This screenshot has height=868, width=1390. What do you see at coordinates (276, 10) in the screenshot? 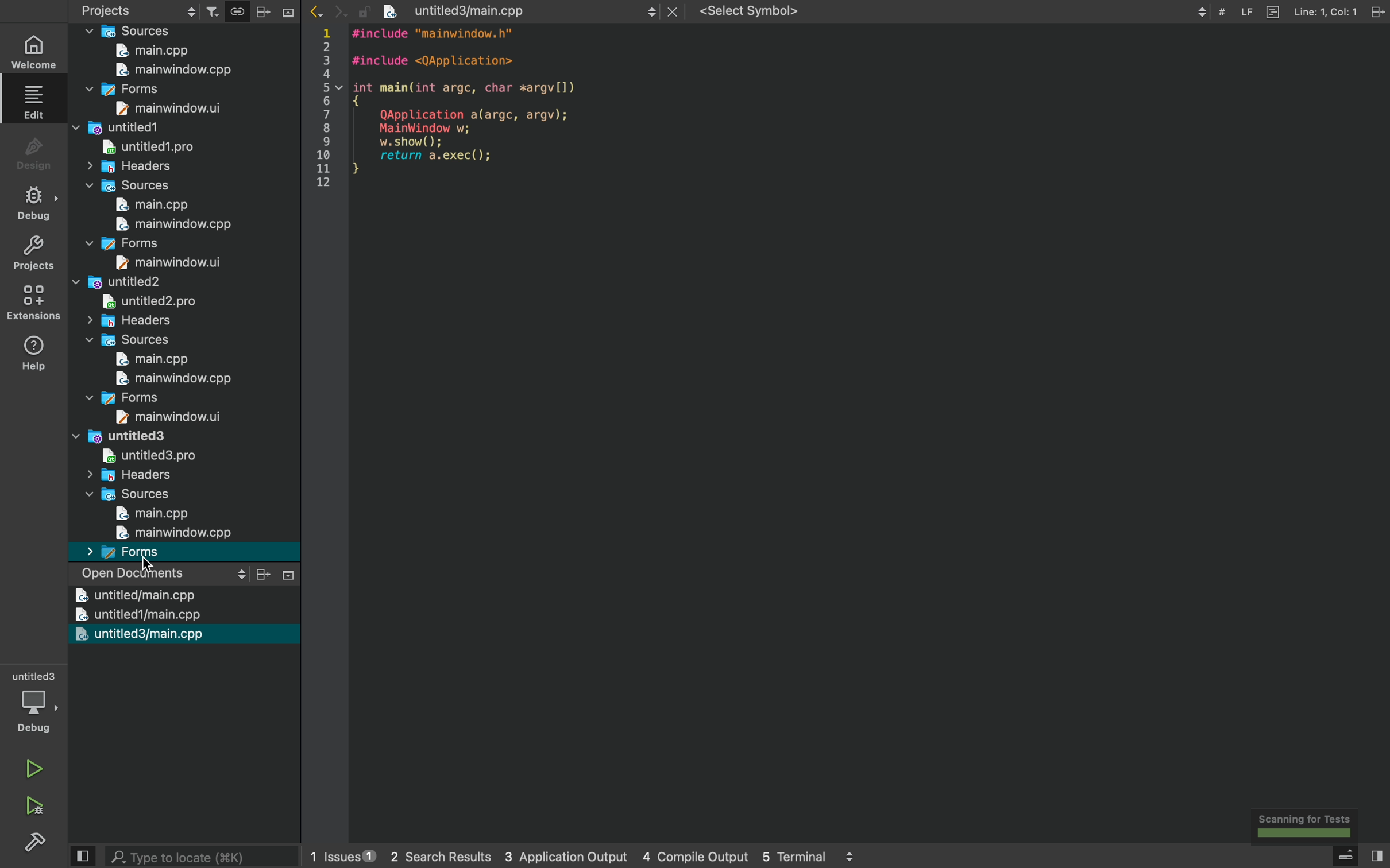
I see `projects` at bounding box center [276, 10].